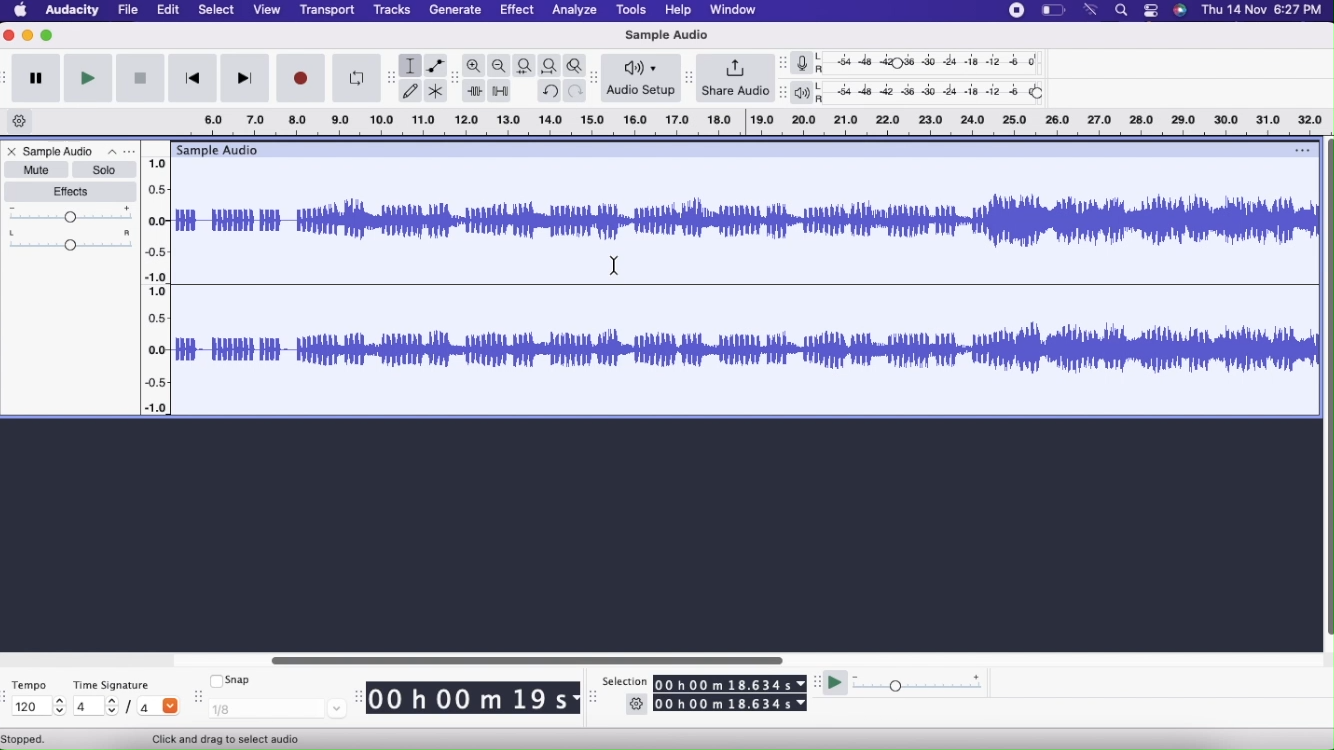  Describe the element at coordinates (20, 122) in the screenshot. I see `Timeline options` at that location.